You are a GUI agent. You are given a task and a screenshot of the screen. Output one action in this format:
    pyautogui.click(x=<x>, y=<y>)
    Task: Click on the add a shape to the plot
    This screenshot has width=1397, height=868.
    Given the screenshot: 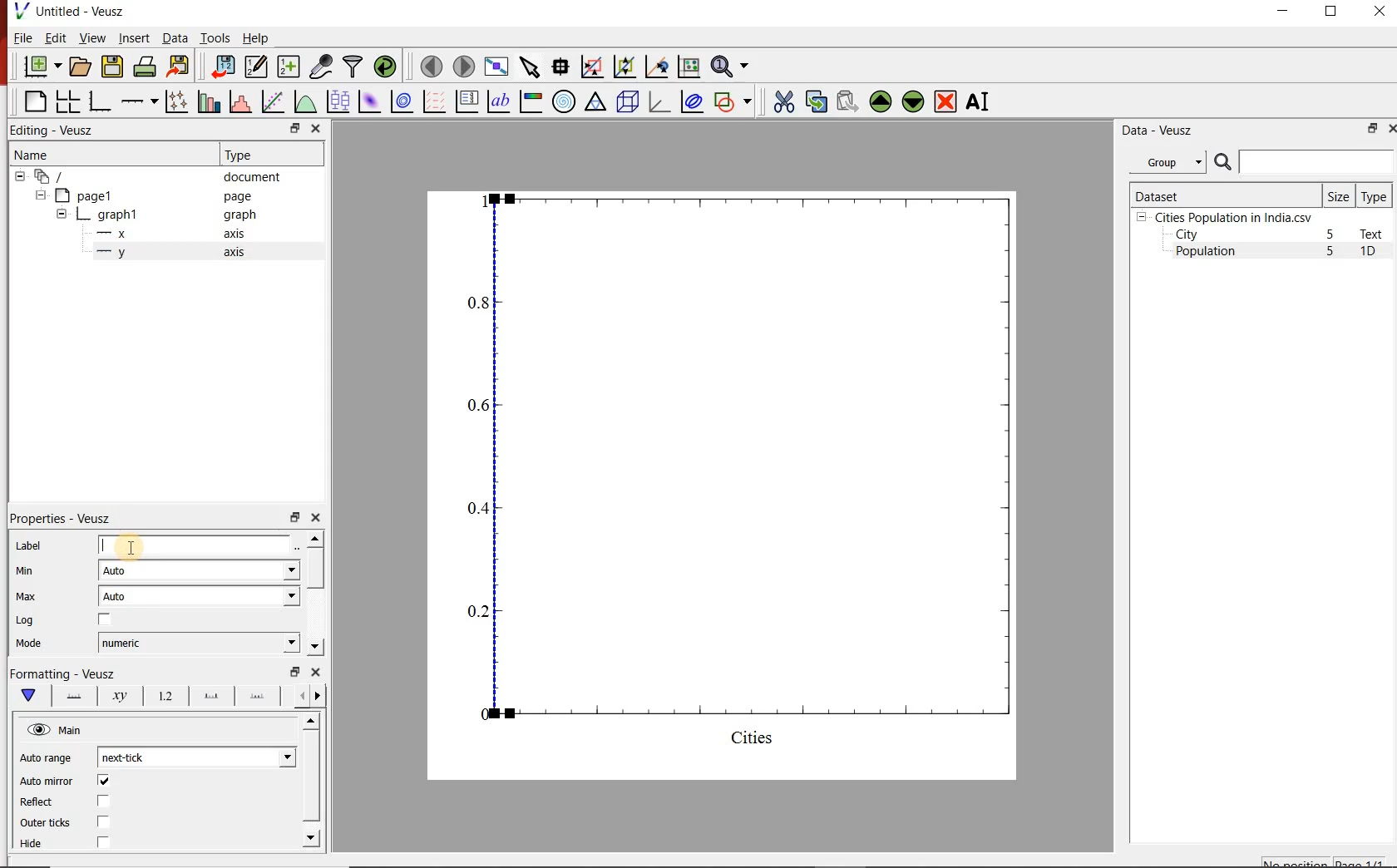 What is the action you would take?
    pyautogui.click(x=733, y=101)
    